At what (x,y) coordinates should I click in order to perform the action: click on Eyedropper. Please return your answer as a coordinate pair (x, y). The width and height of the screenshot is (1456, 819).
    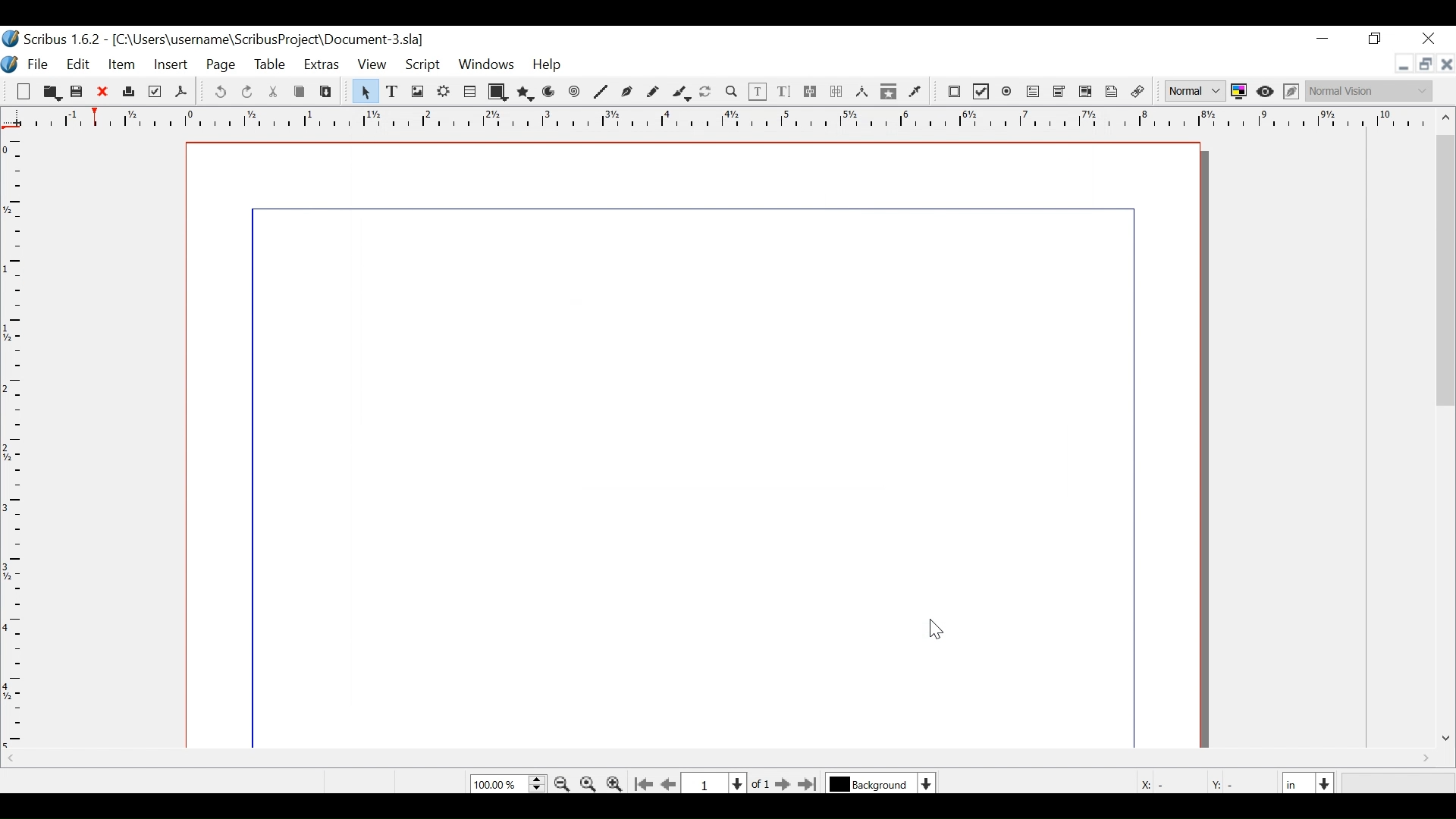
    Looking at the image, I should click on (915, 92).